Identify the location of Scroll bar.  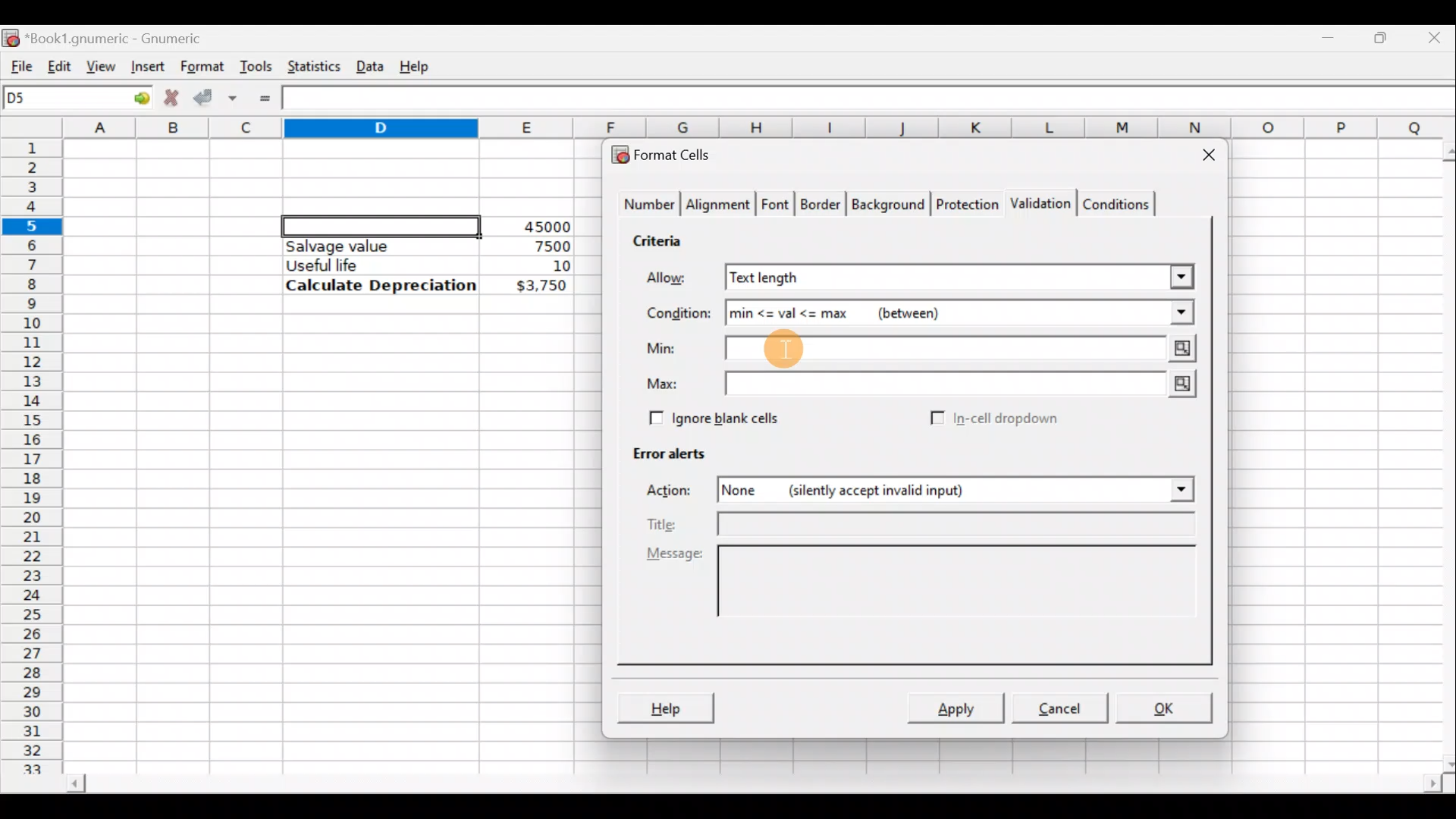
(1439, 454).